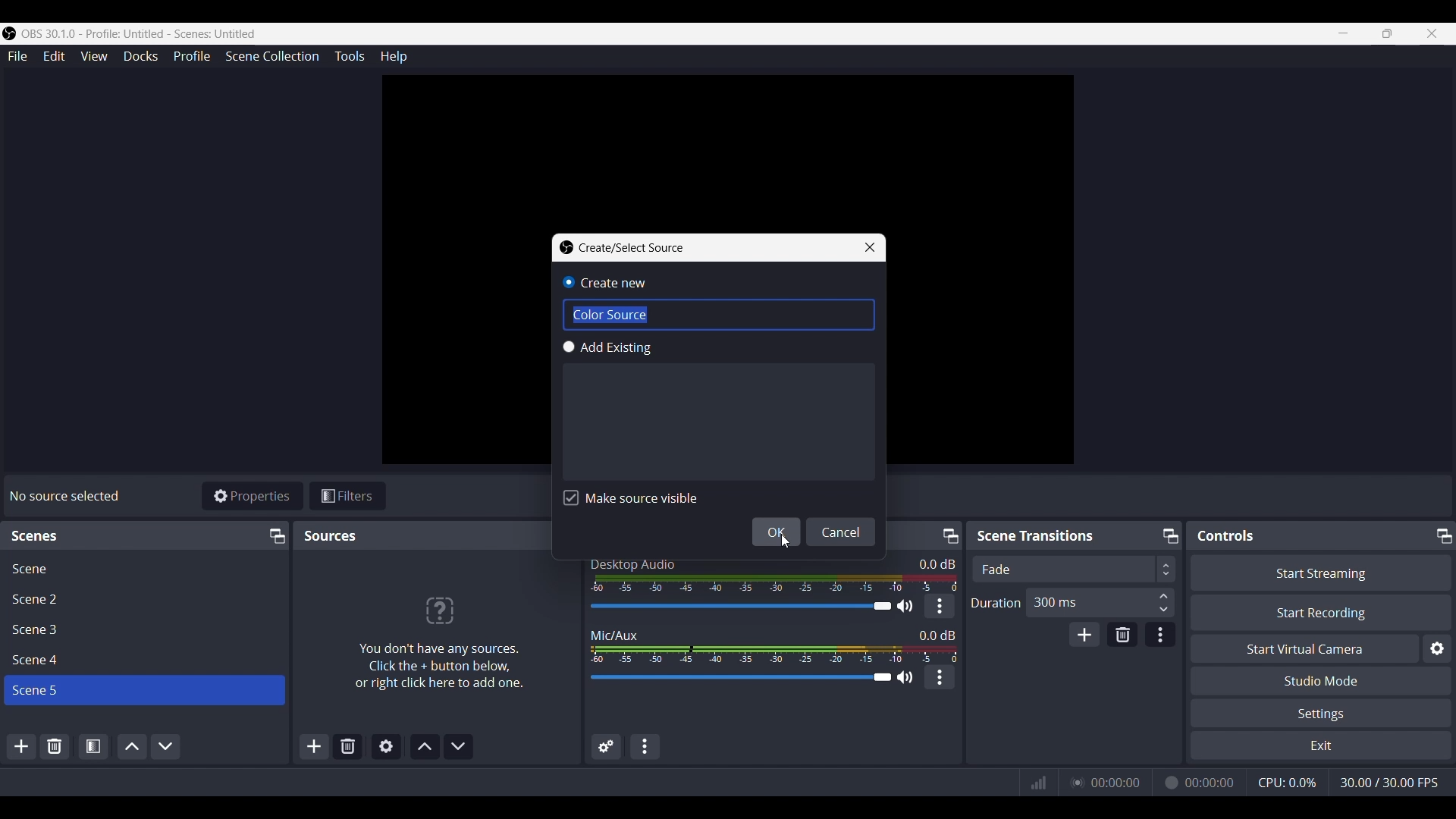 This screenshot has width=1456, height=819. Describe the element at coordinates (275, 535) in the screenshot. I see `Maximize` at that location.